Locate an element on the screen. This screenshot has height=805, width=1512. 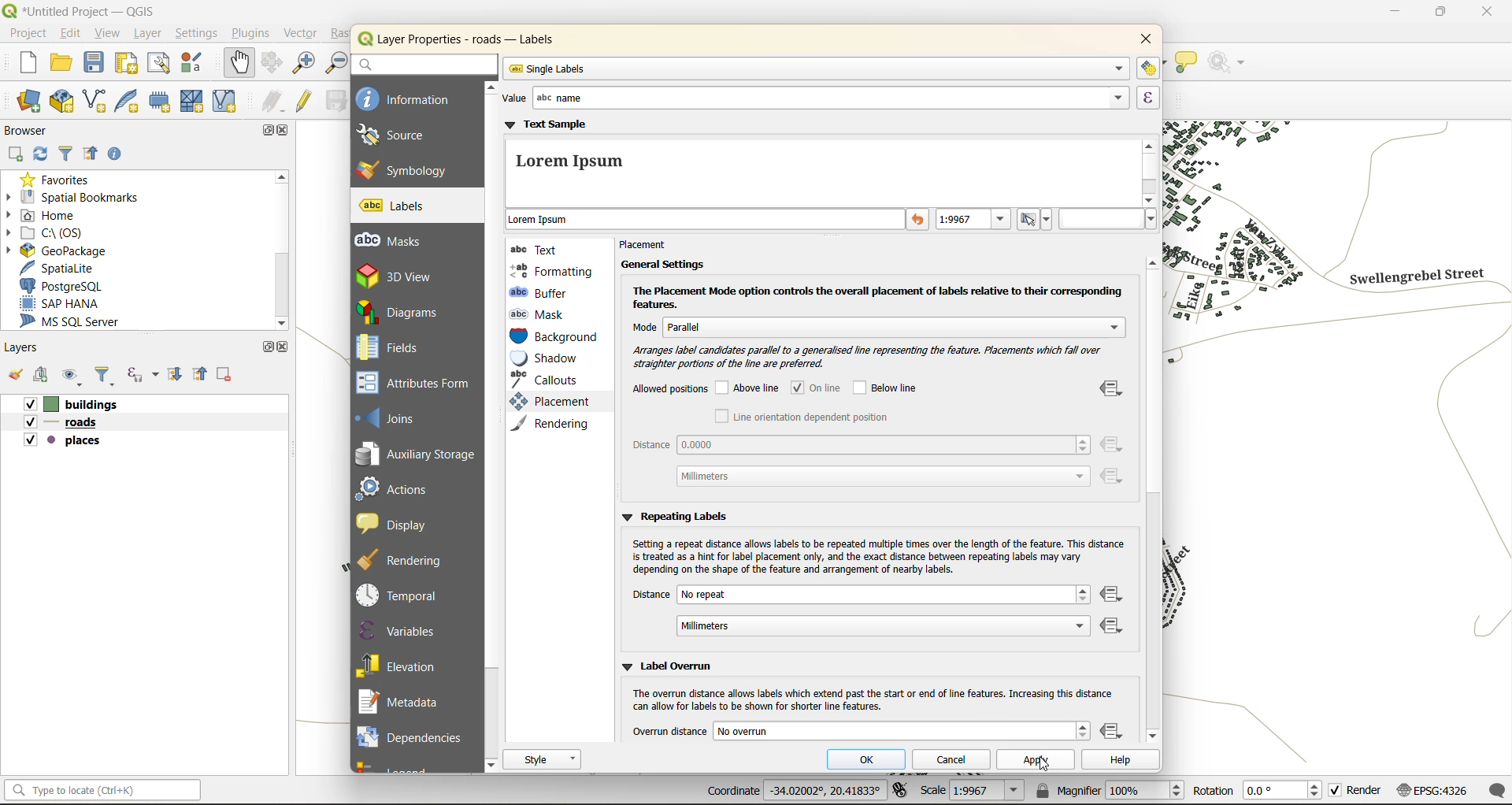
variables is located at coordinates (400, 630).